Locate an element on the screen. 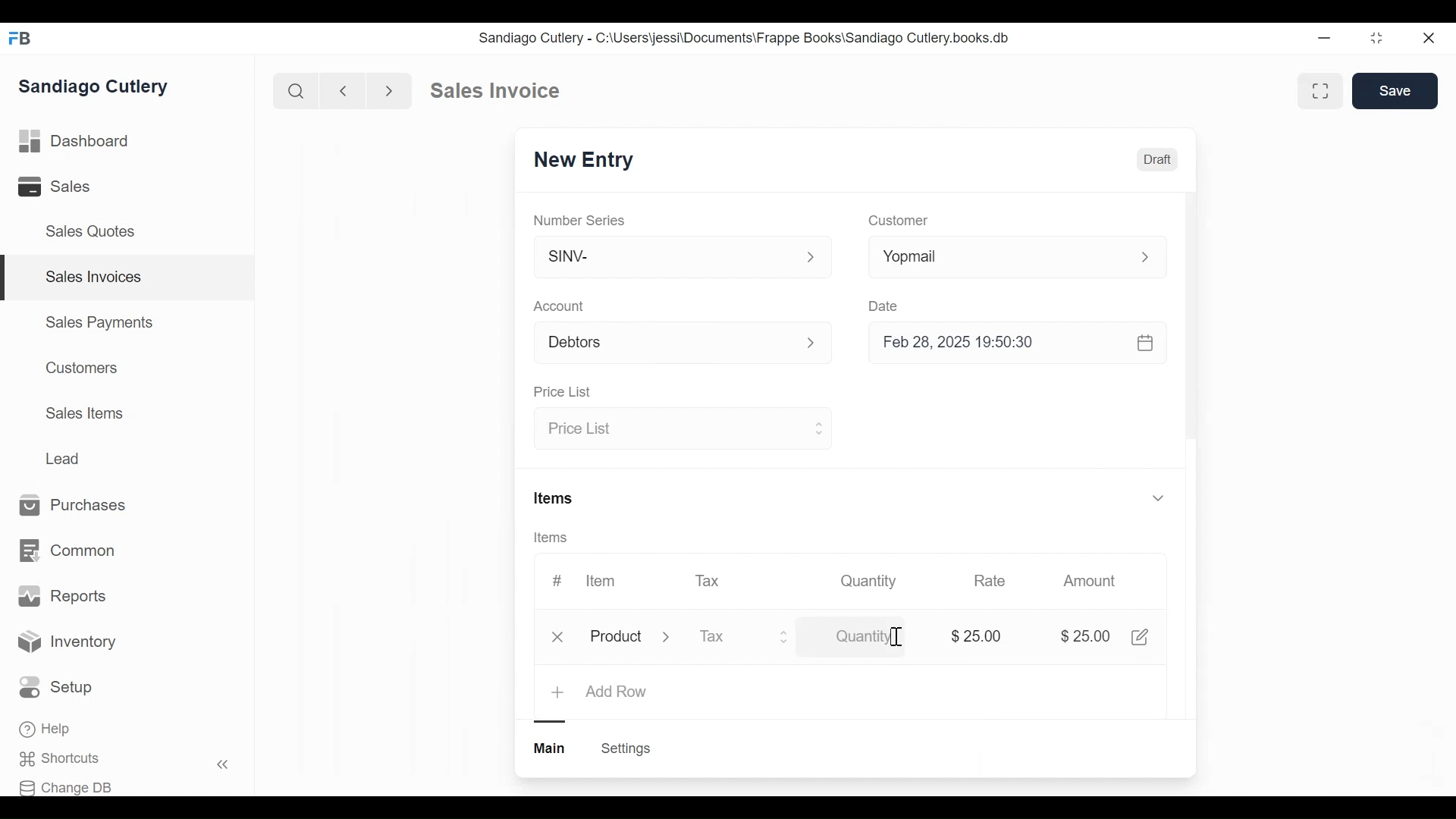  Sandiago Cutlery is located at coordinates (98, 86).